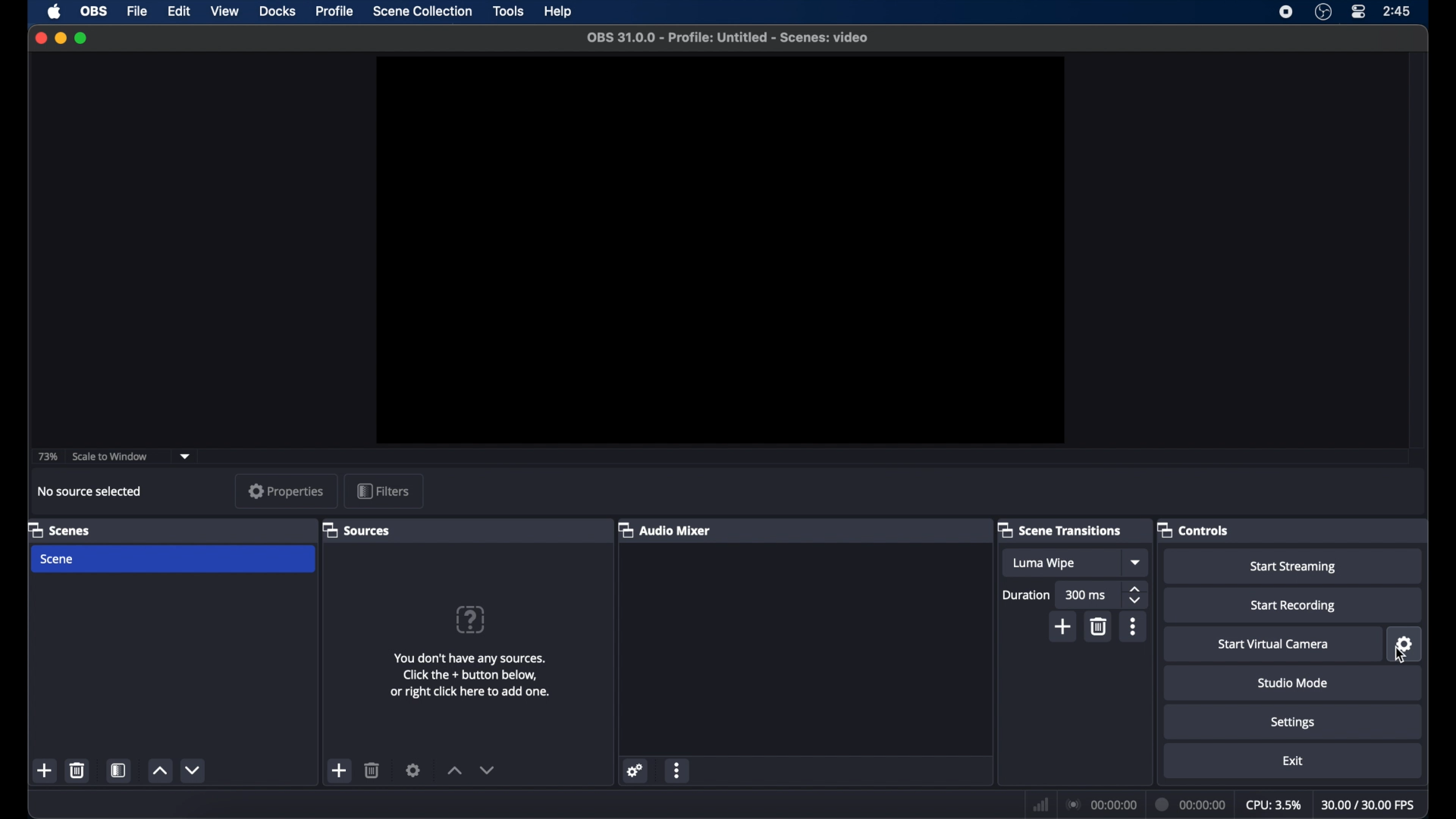 Image resolution: width=1456 pixels, height=819 pixels. I want to click on minimize, so click(61, 39).